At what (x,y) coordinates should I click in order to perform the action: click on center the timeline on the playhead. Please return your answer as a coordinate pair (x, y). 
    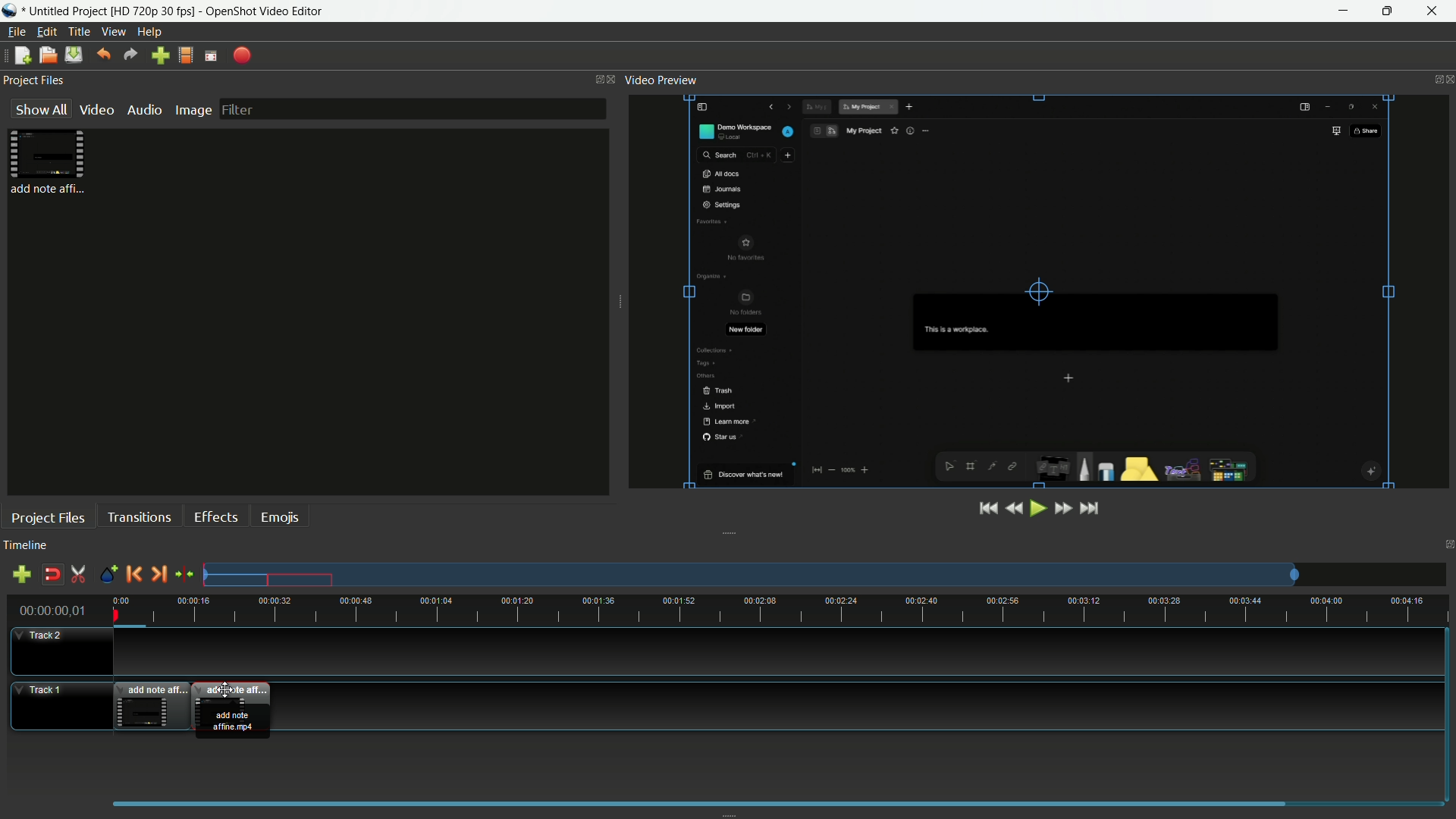
    Looking at the image, I should click on (184, 573).